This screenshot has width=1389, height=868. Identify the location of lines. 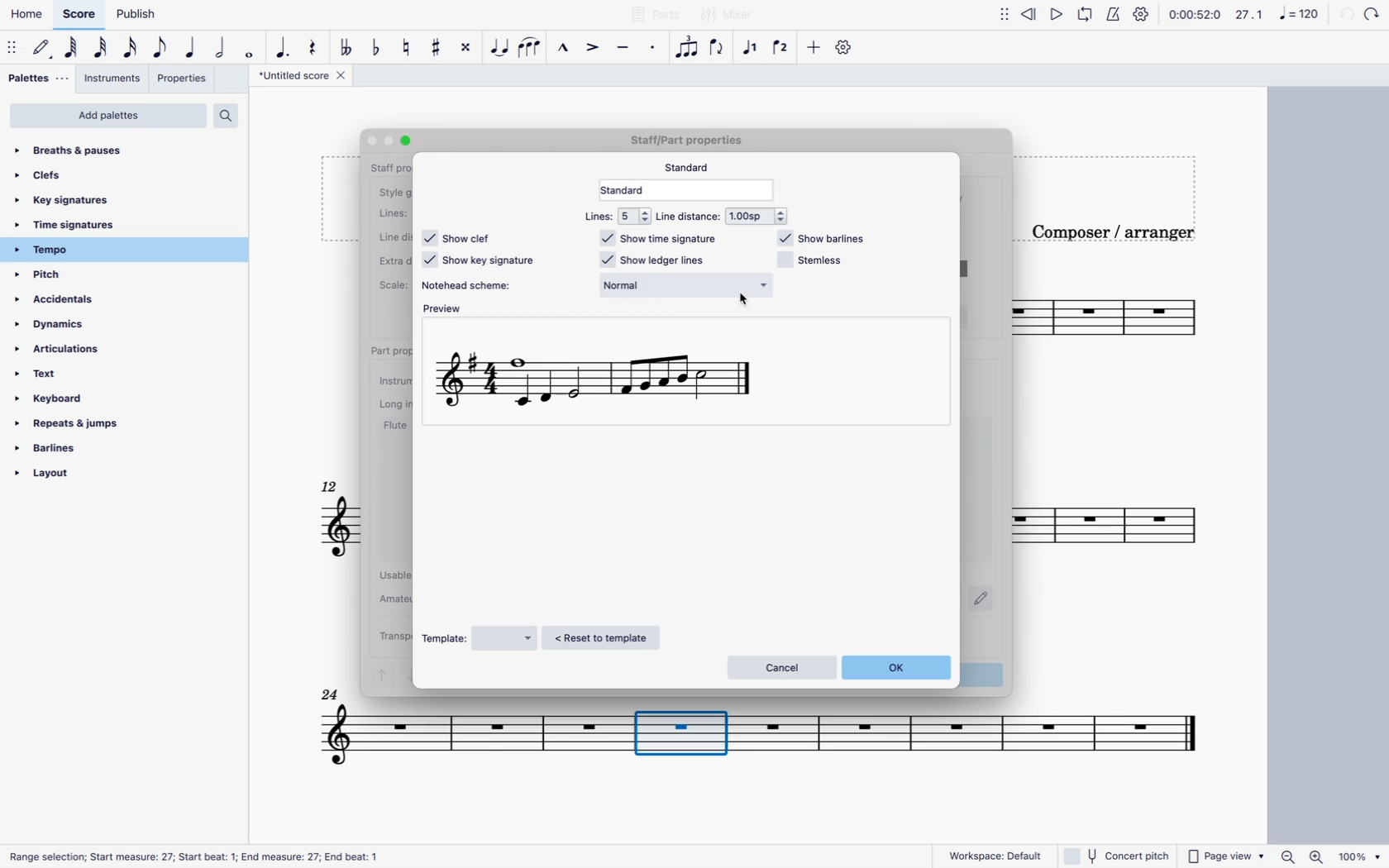
(613, 216).